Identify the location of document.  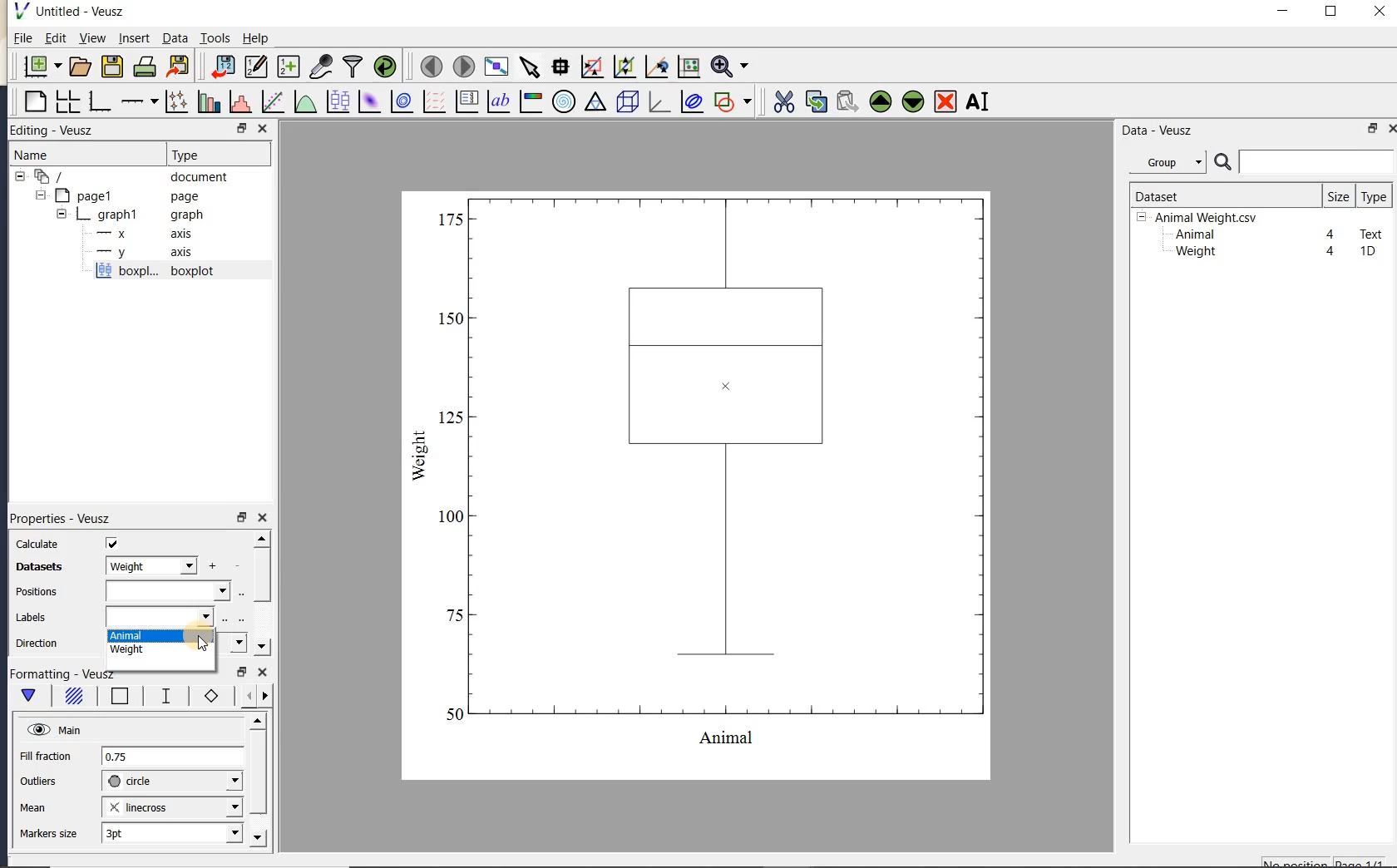
(126, 177).